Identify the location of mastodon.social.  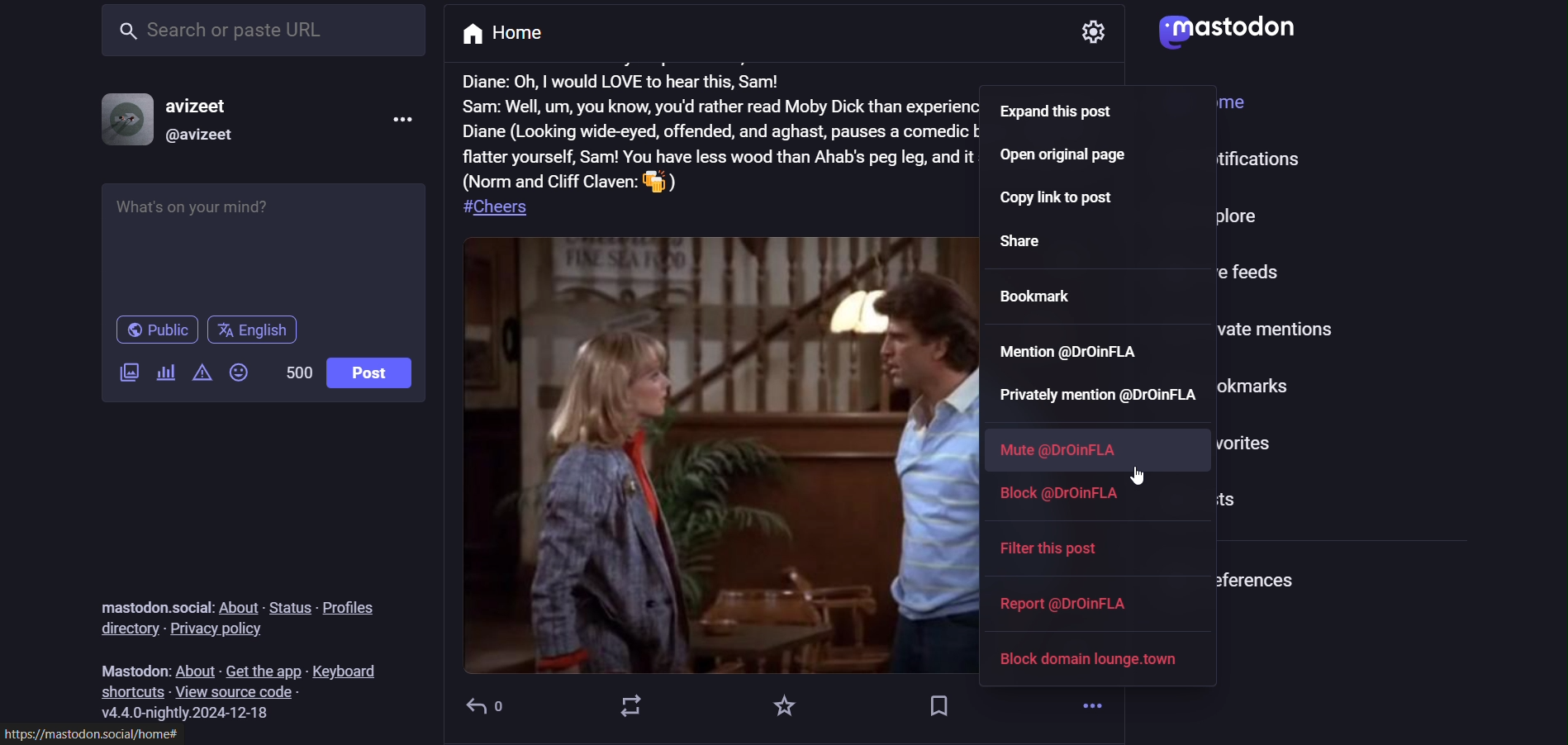
(149, 600).